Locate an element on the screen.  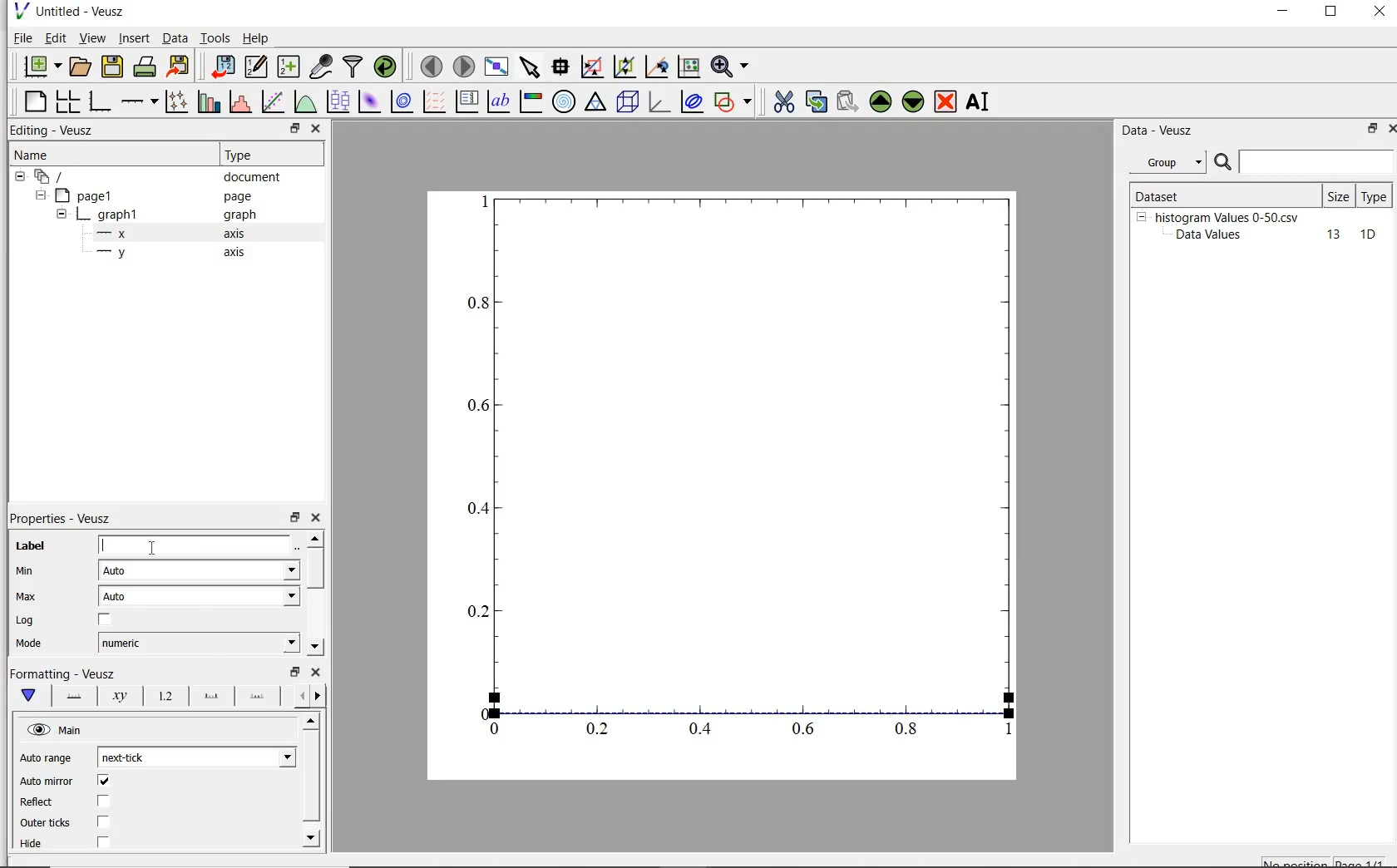
3d scene is located at coordinates (628, 103).